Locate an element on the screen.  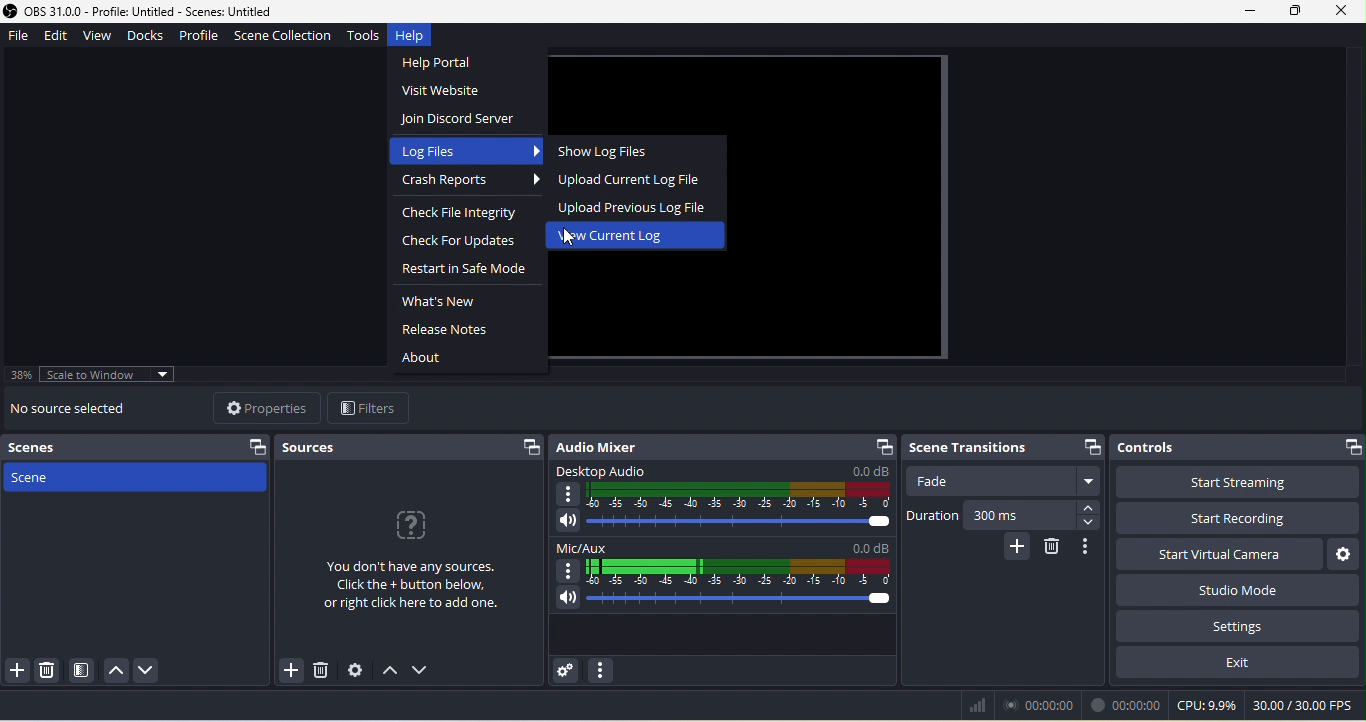
start streaming is located at coordinates (1239, 482).